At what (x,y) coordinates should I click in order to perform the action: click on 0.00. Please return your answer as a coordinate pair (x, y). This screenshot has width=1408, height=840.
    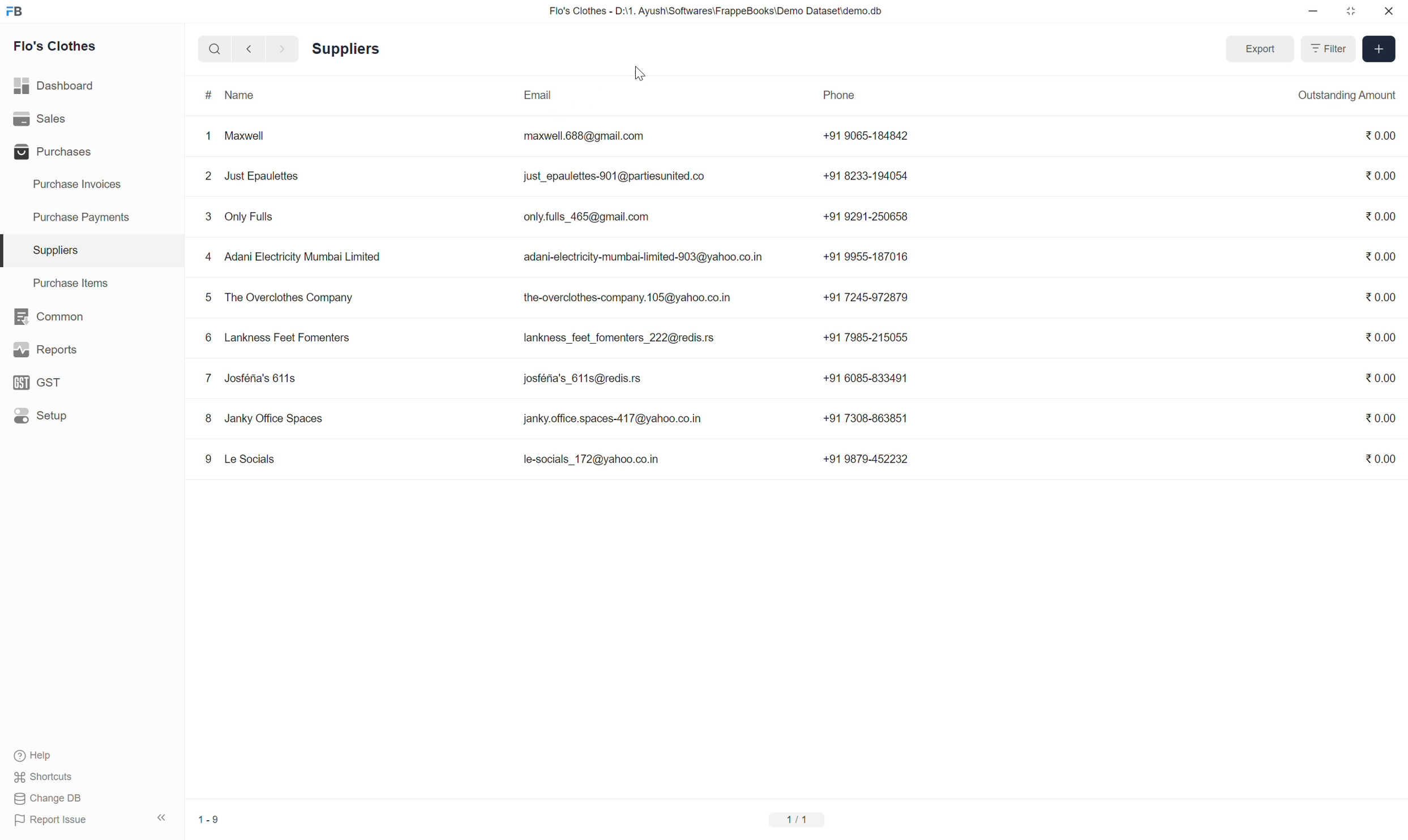
    Looking at the image, I should click on (1381, 135).